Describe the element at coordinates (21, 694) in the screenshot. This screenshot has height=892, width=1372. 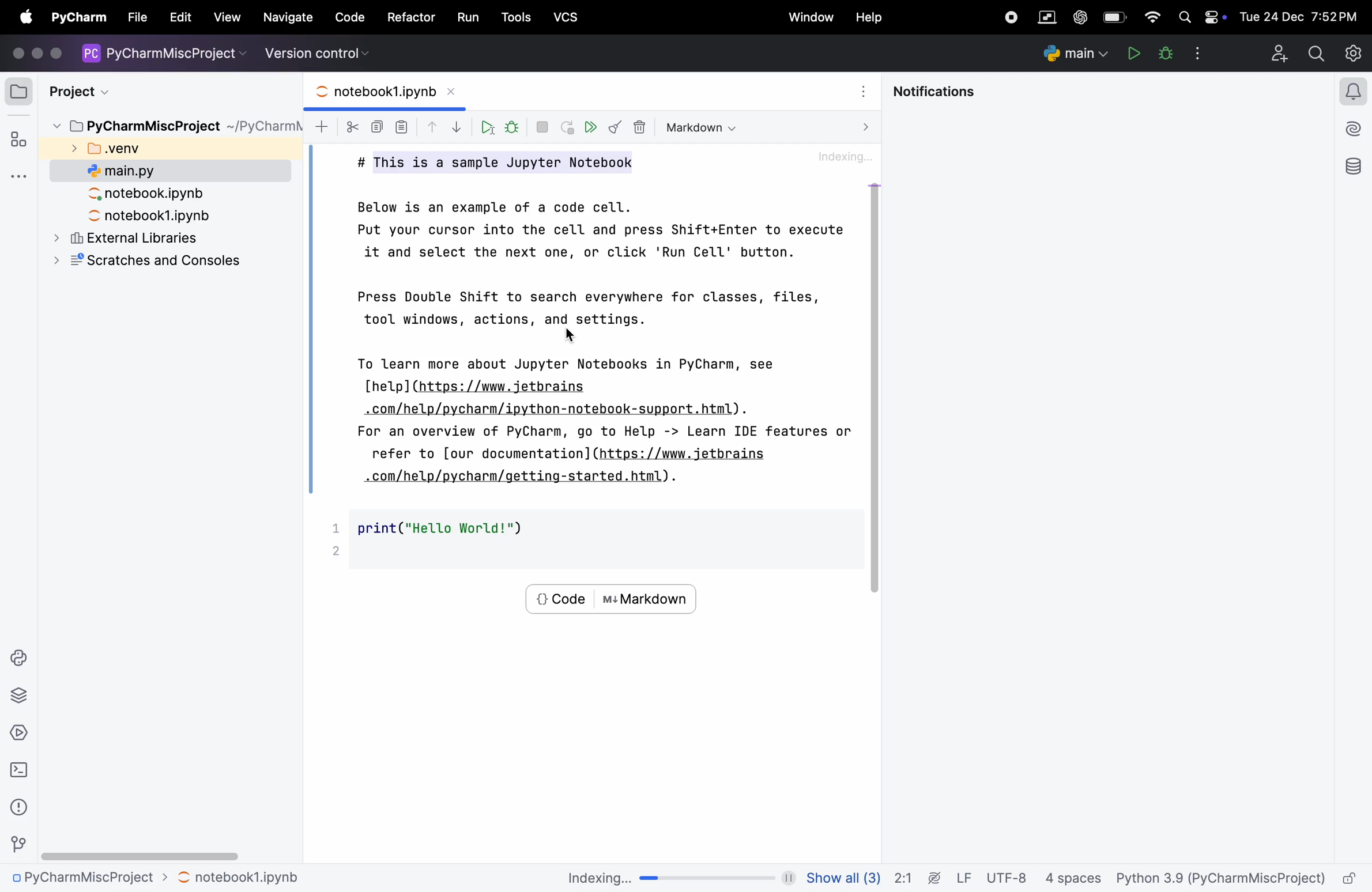
I see `python packages` at that location.